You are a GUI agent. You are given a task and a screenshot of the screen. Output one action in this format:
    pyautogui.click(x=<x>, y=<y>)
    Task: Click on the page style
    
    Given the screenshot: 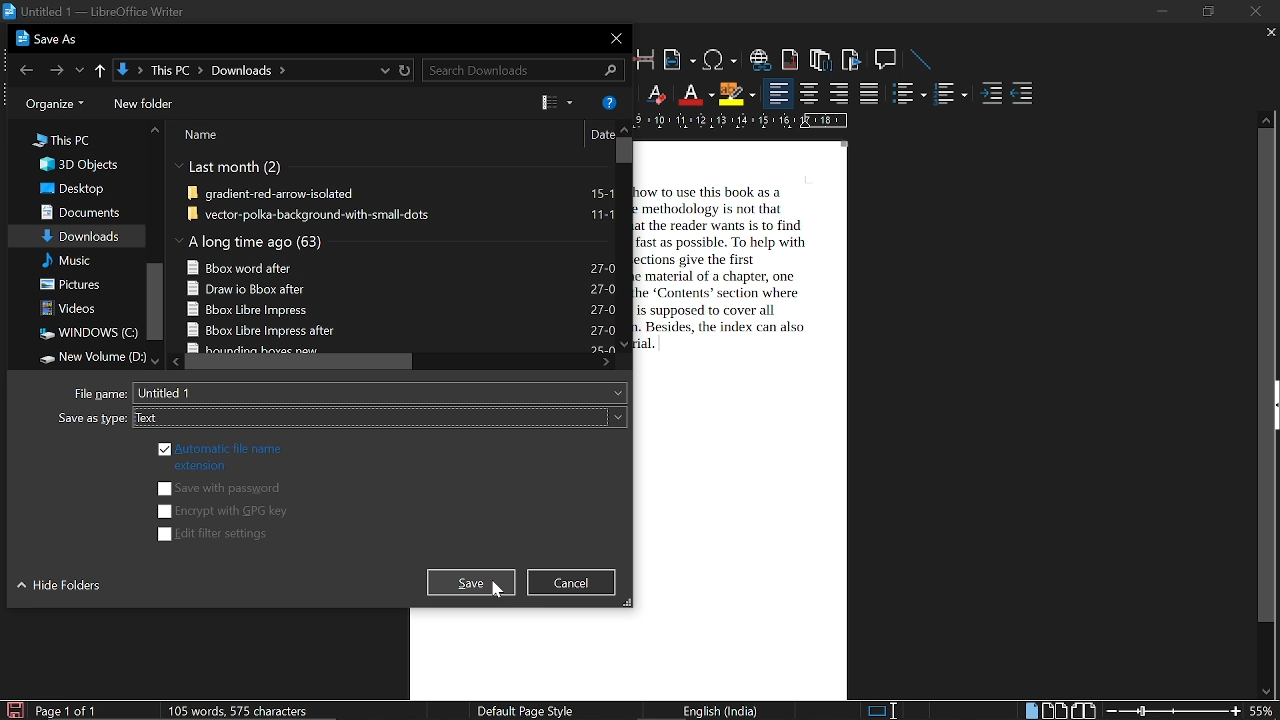 What is the action you would take?
    pyautogui.click(x=522, y=710)
    